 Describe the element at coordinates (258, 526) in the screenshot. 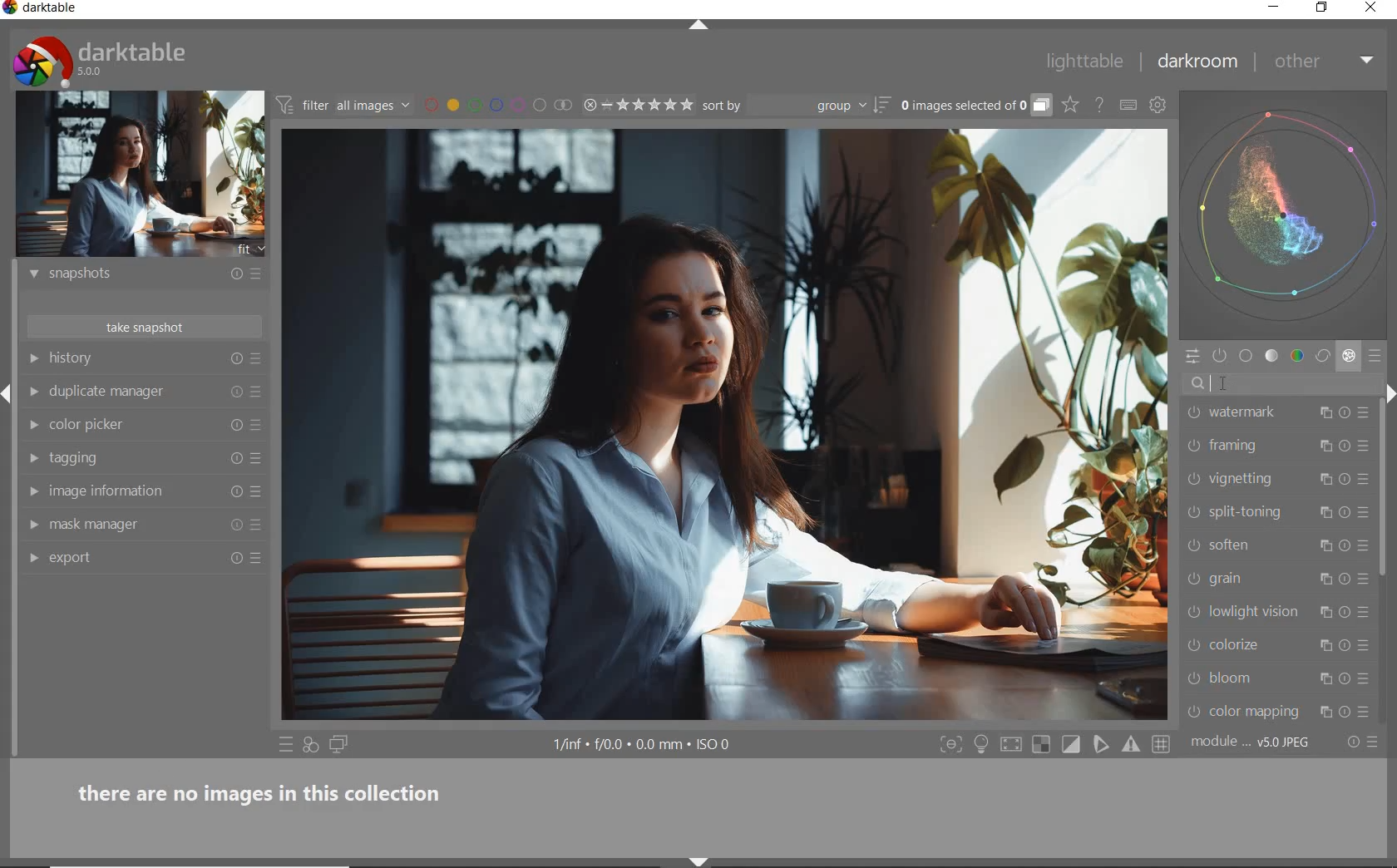

I see `preset and preferences` at that location.